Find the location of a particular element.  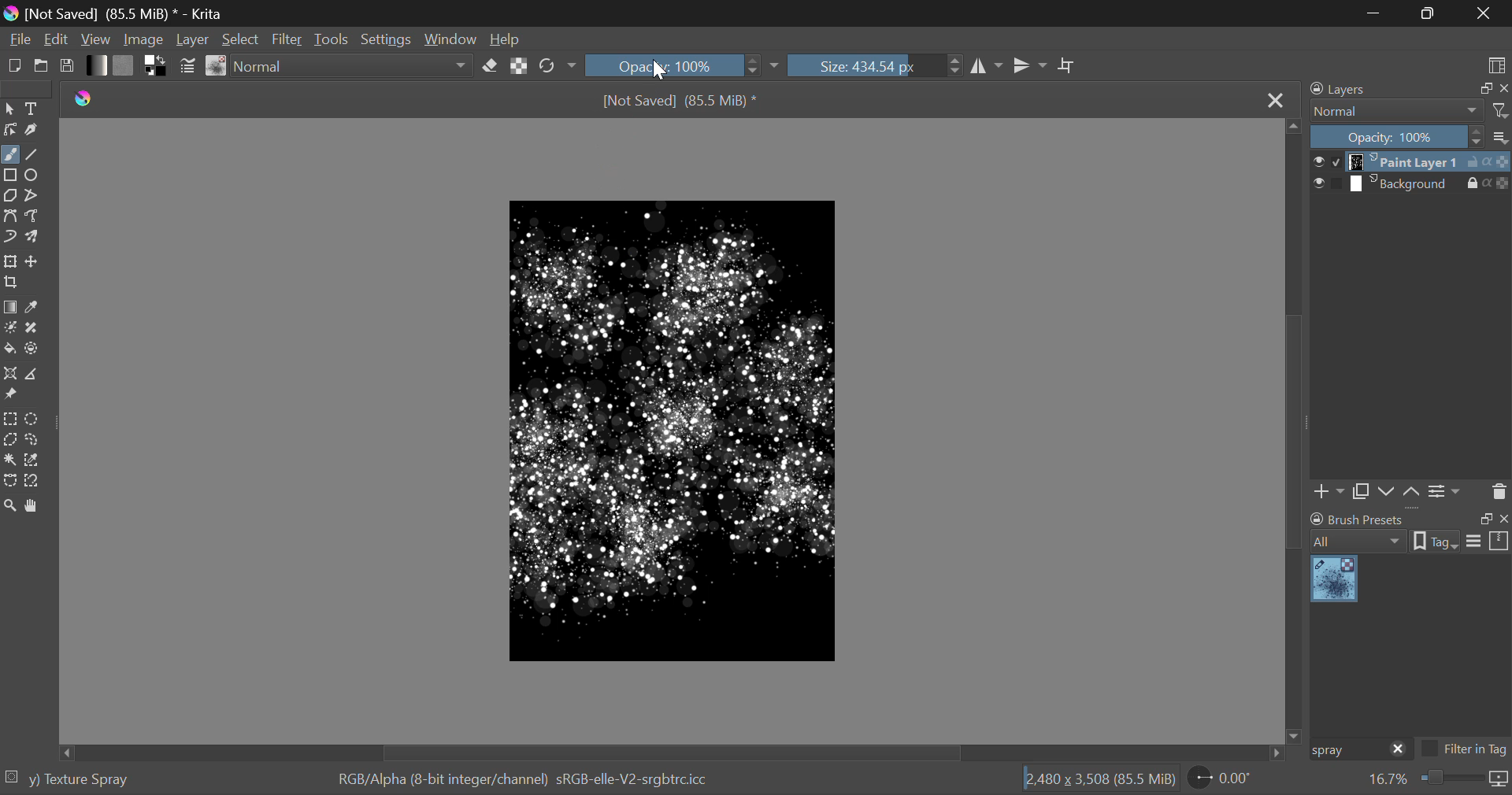

Freehand Path Tool is located at coordinates (33, 216).